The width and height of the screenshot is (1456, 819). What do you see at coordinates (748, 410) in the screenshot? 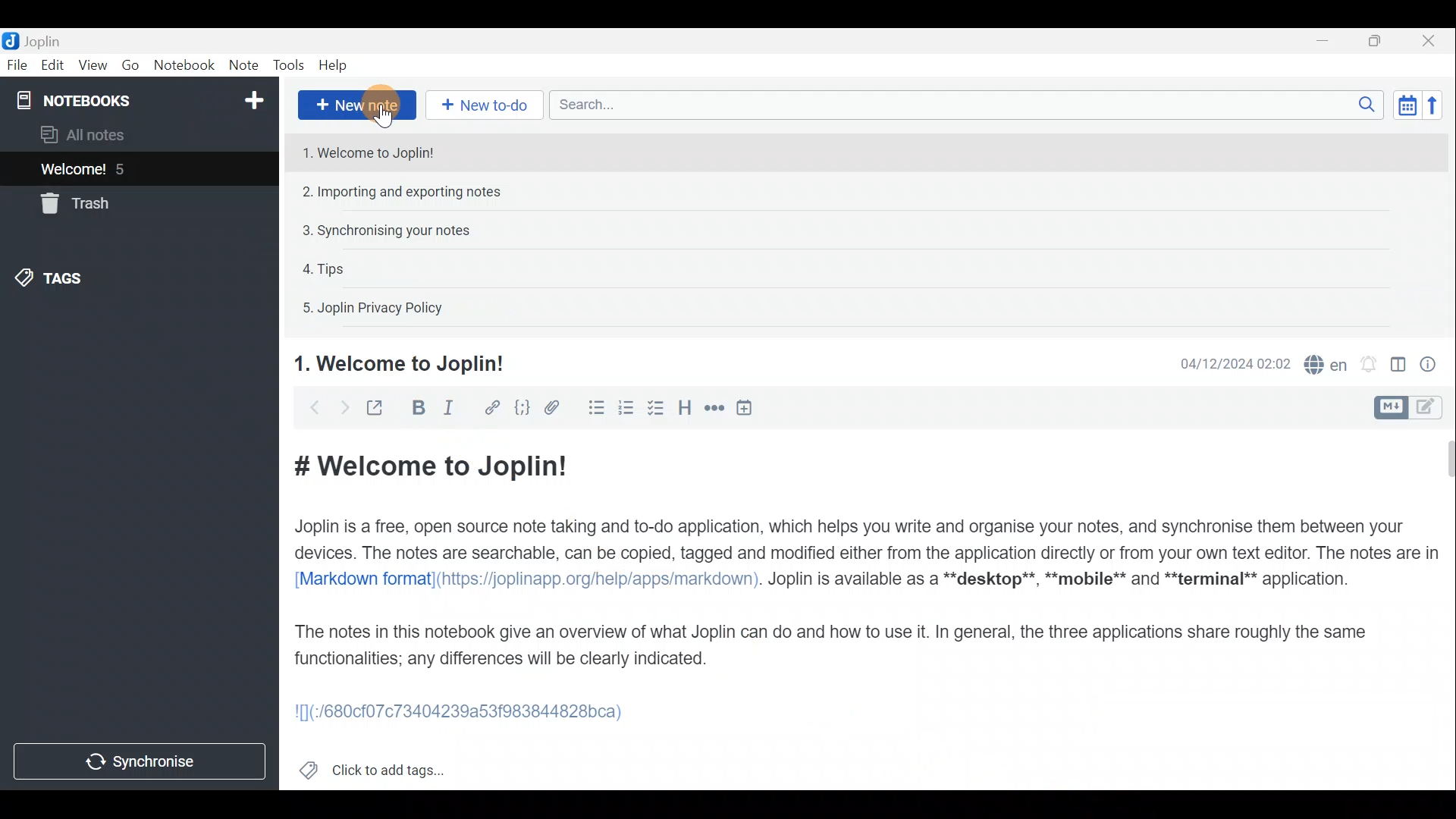
I see `Insert time` at bounding box center [748, 410].